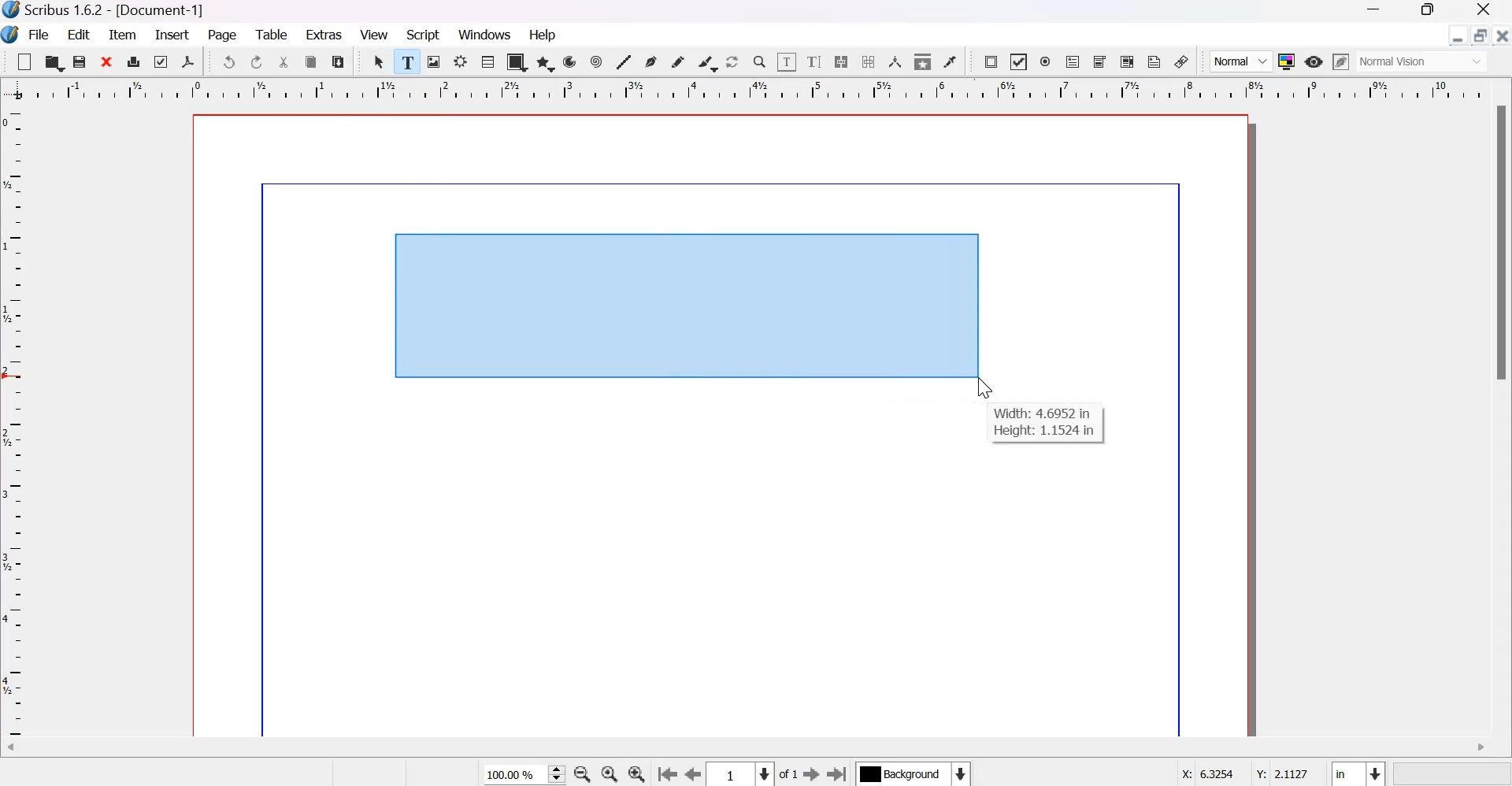 The image size is (1512, 786). I want to click on Select the current layer, so click(912, 773).